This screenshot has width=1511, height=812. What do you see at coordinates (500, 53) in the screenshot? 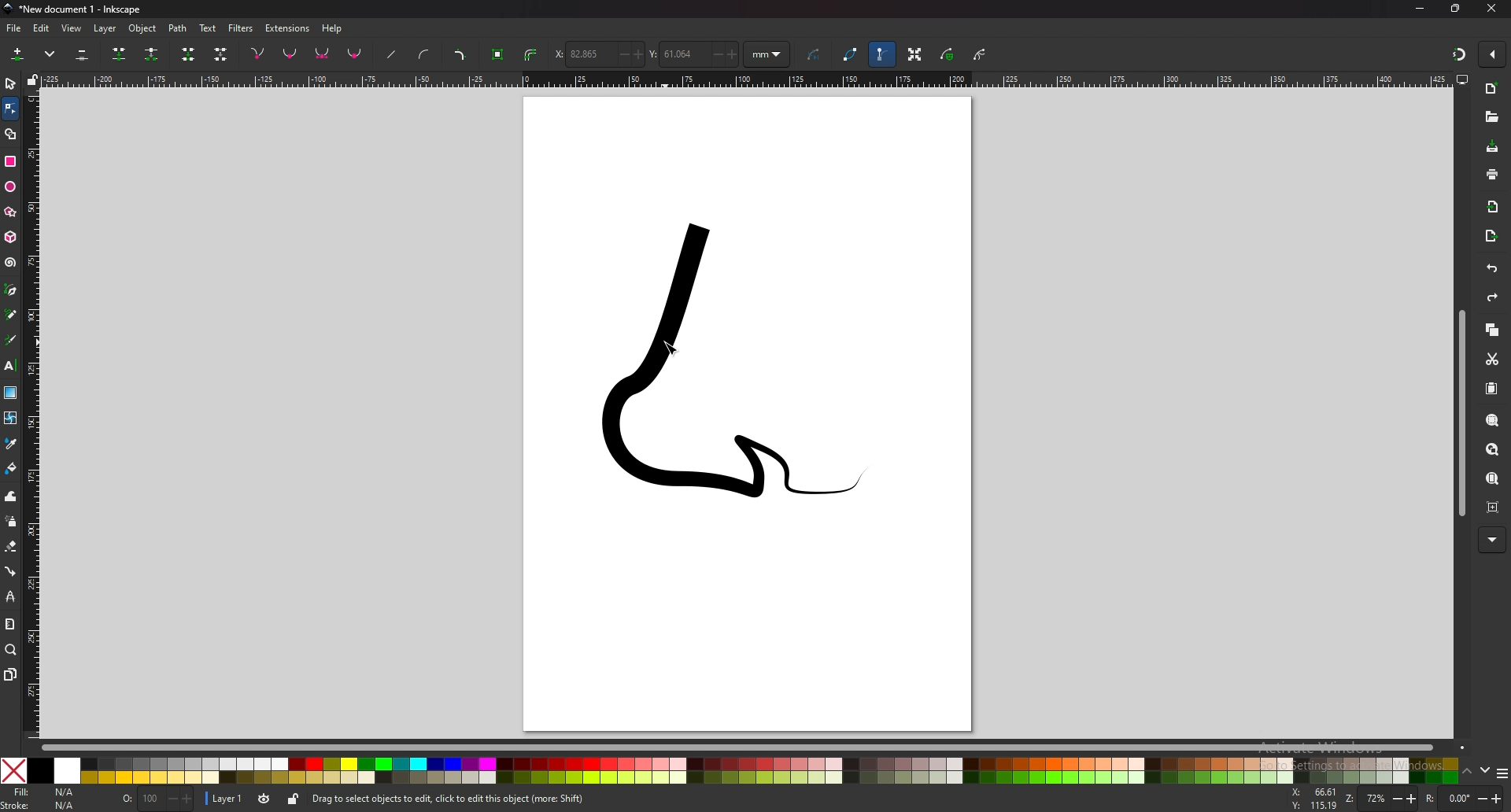
I see `object to path` at bounding box center [500, 53].